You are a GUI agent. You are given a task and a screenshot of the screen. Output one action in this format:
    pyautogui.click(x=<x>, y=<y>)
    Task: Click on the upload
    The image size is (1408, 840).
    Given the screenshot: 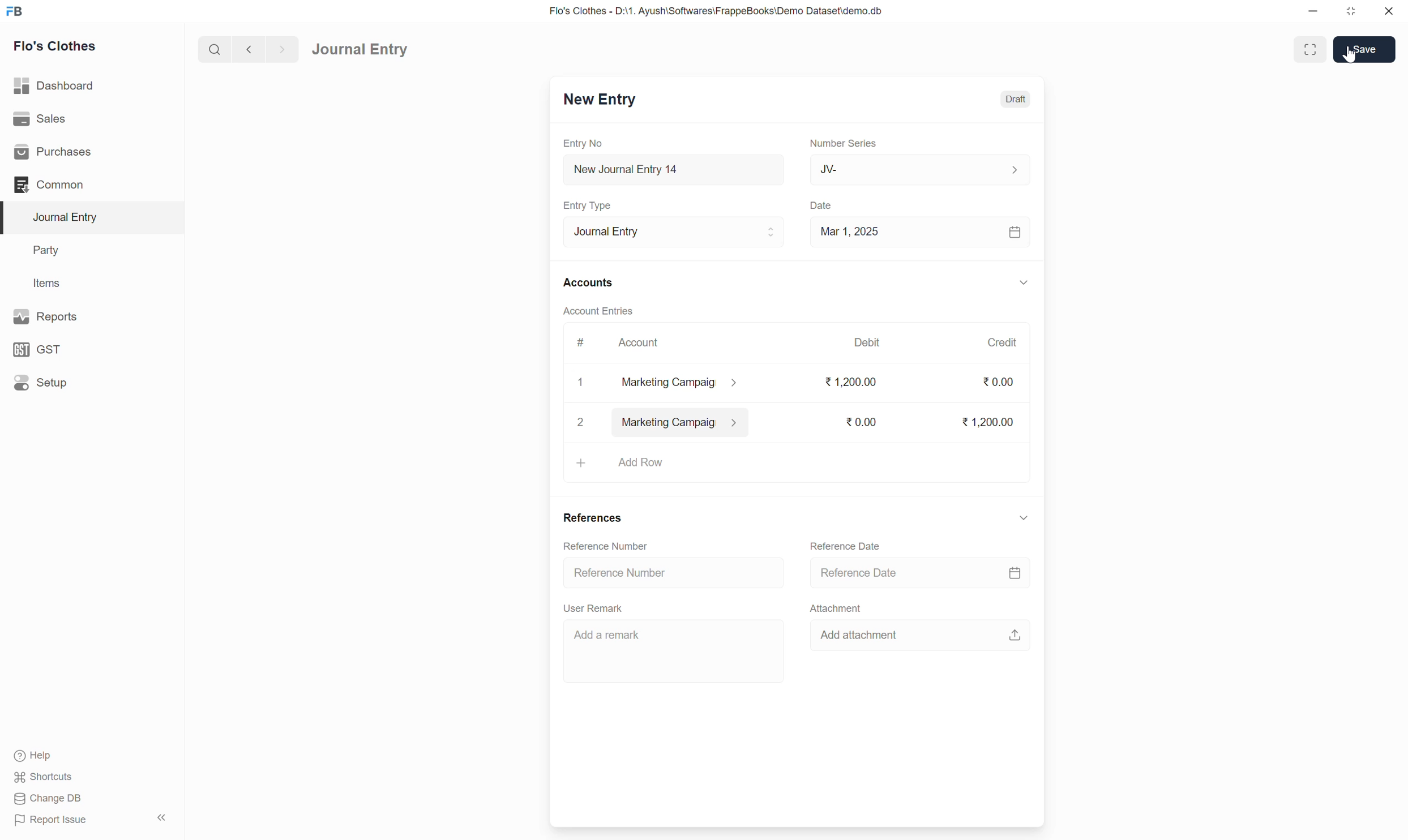 What is the action you would take?
    pyautogui.click(x=1012, y=635)
    